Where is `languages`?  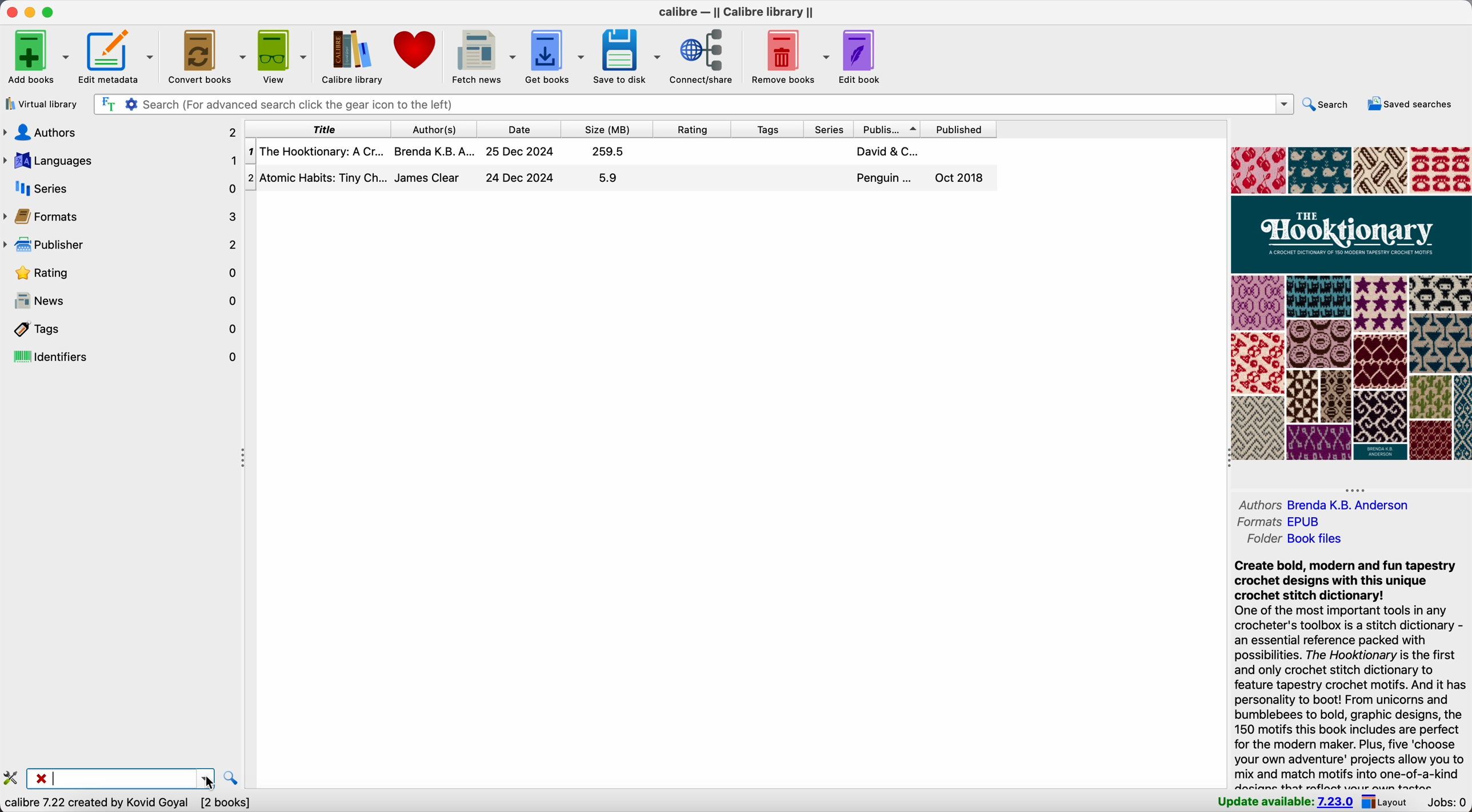
languages is located at coordinates (122, 157).